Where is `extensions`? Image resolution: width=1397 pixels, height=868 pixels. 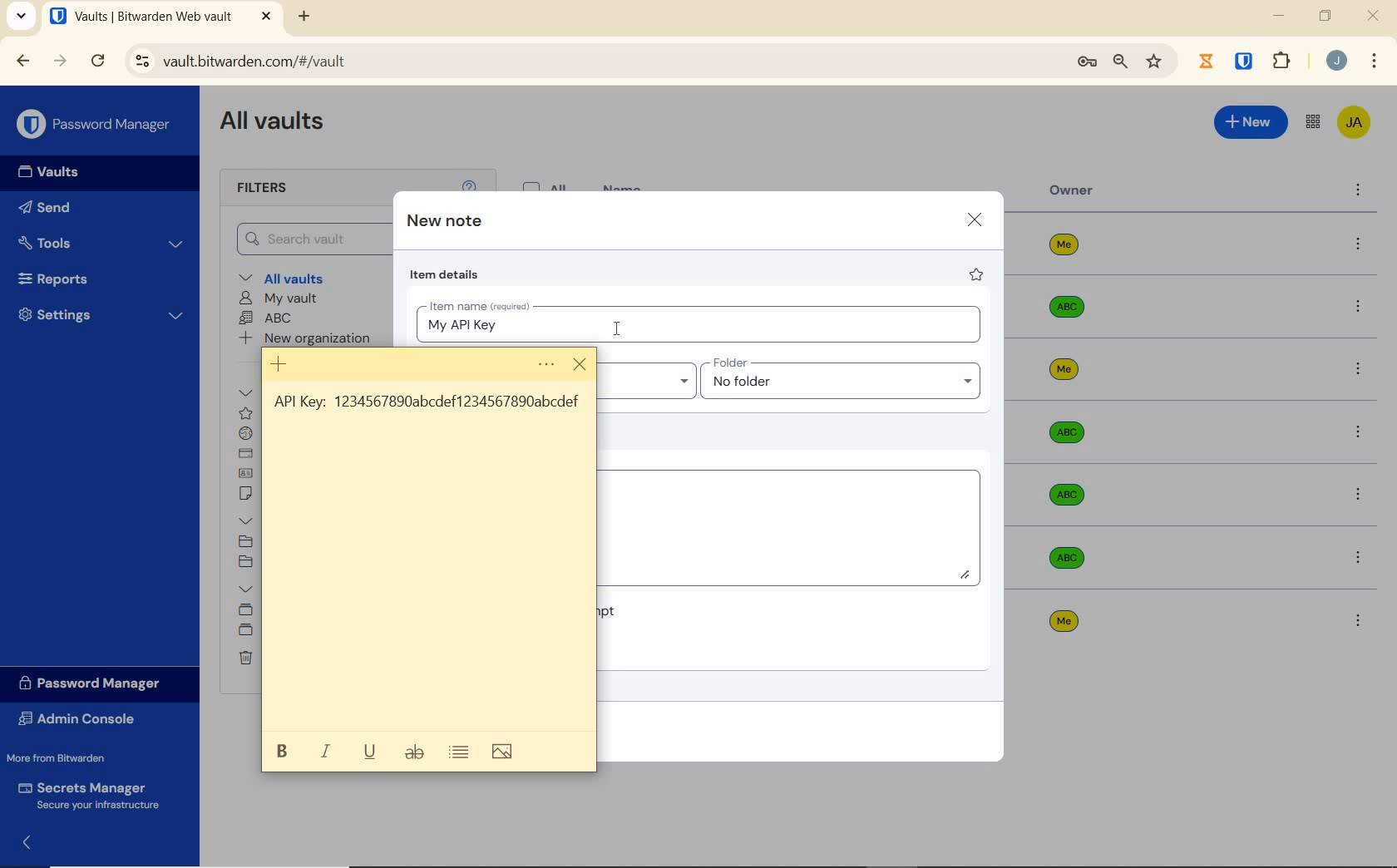
extensions is located at coordinates (1284, 60).